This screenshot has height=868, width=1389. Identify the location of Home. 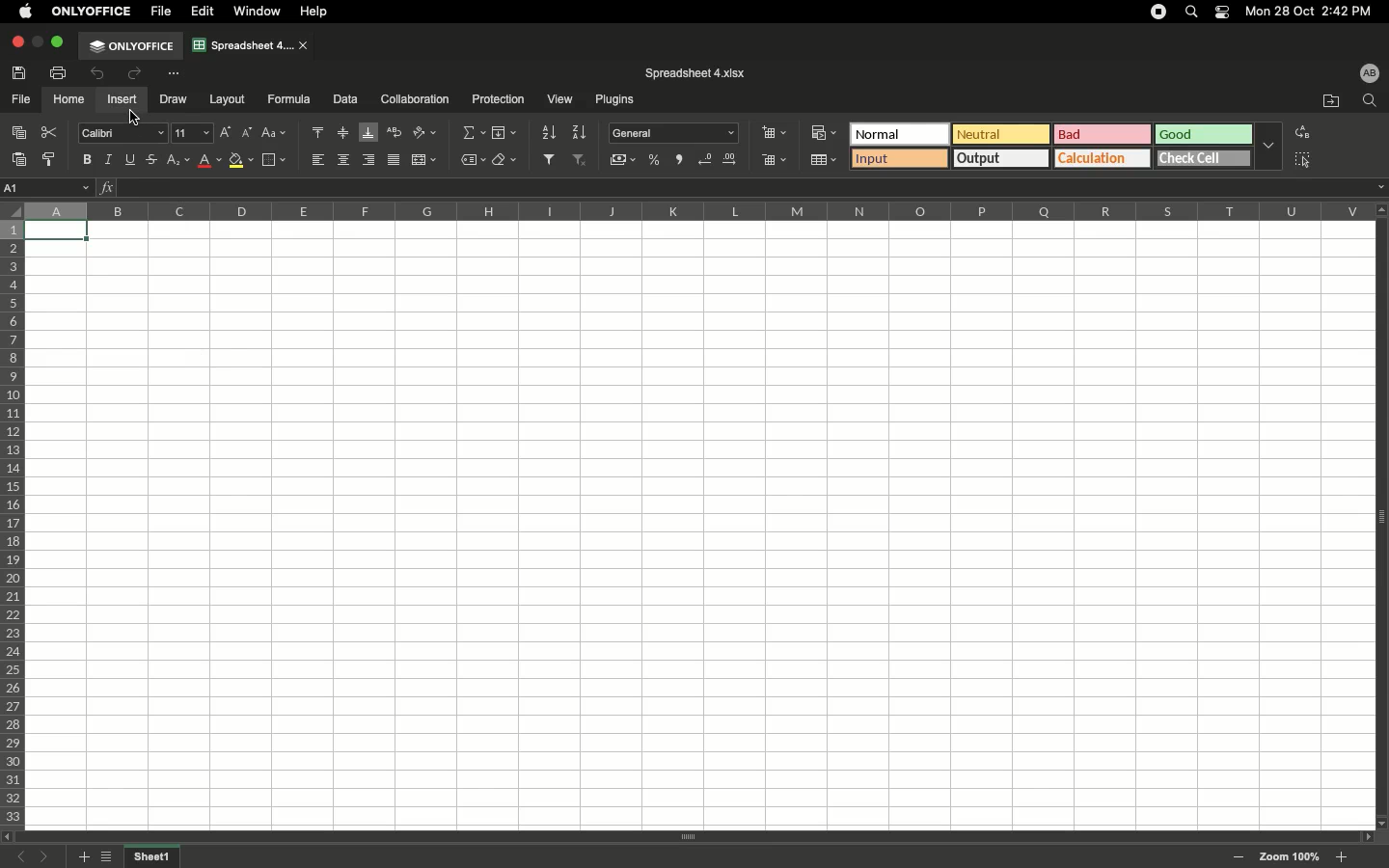
(69, 100).